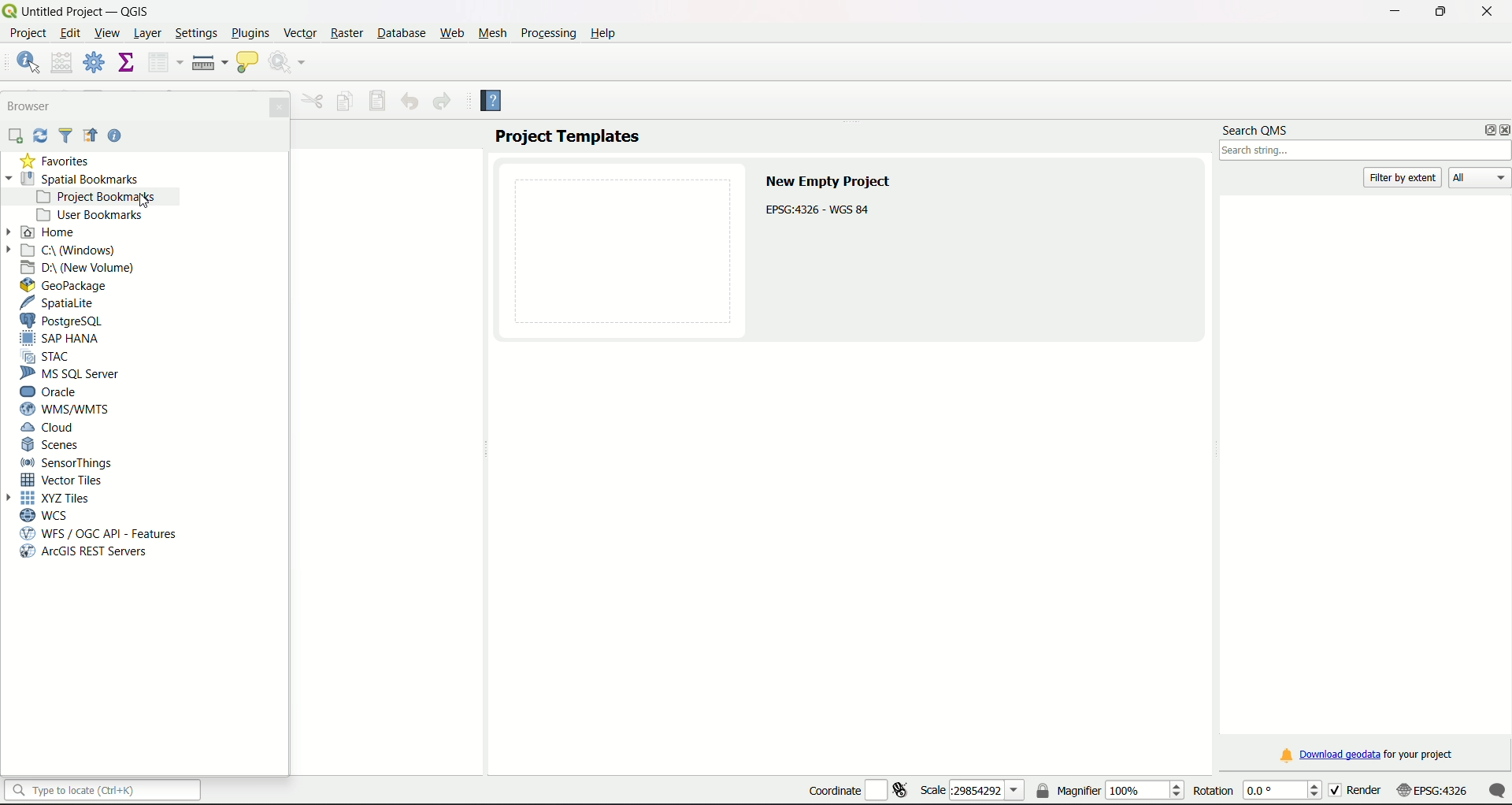 This screenshot has height=805, width=1512. What do you see at coordinates (70, 463) in the screenshot?
I see `Sensor Things` at bounding box center [70, 463].